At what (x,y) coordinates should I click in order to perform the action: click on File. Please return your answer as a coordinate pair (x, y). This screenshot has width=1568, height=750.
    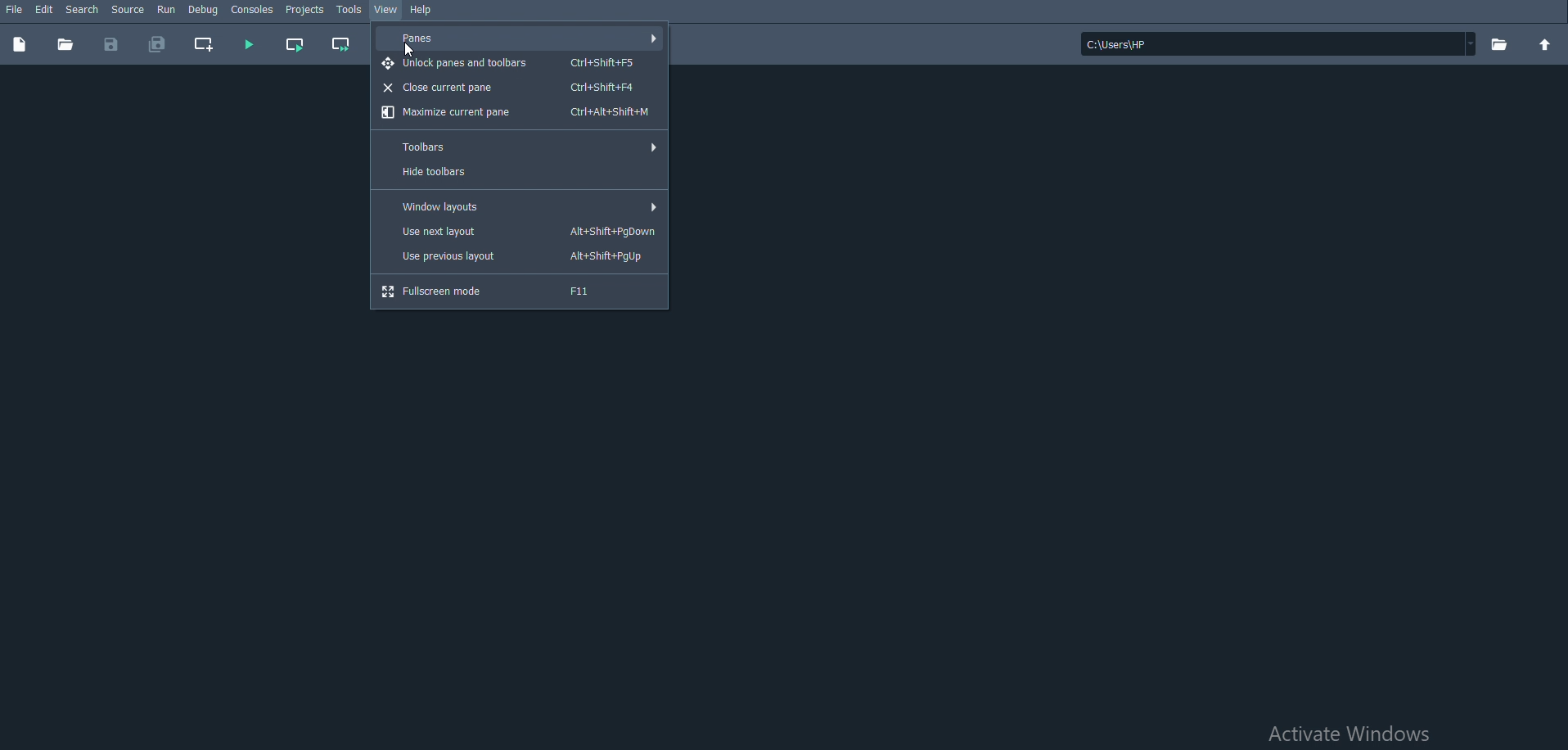
    Looking at the image, I should click on (13, 8).